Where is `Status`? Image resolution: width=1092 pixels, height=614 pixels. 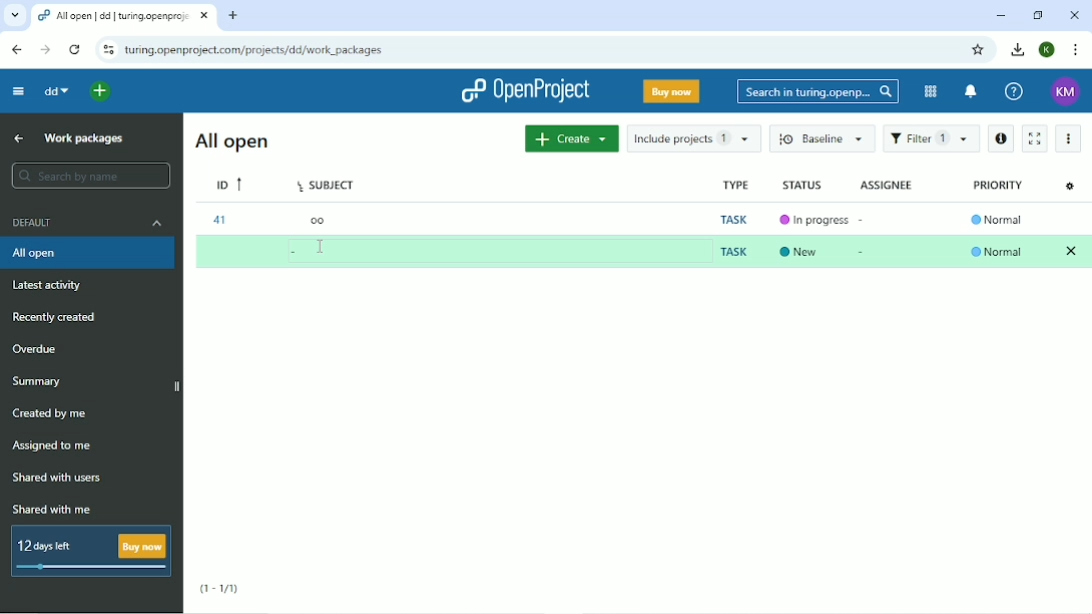 Status is located at coordinates (801, 186).